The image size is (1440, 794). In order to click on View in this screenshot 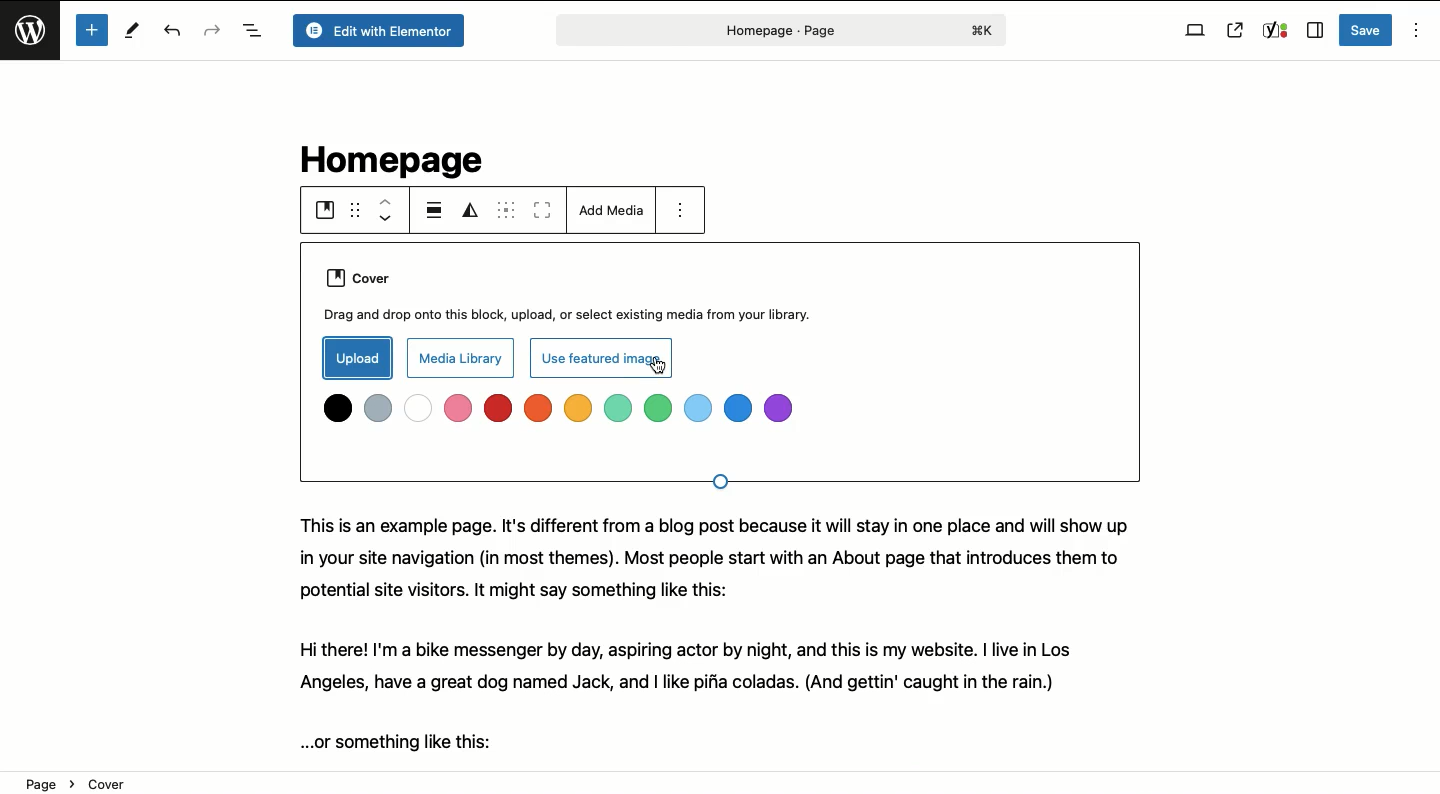, I will do `click(1195, 31)`.